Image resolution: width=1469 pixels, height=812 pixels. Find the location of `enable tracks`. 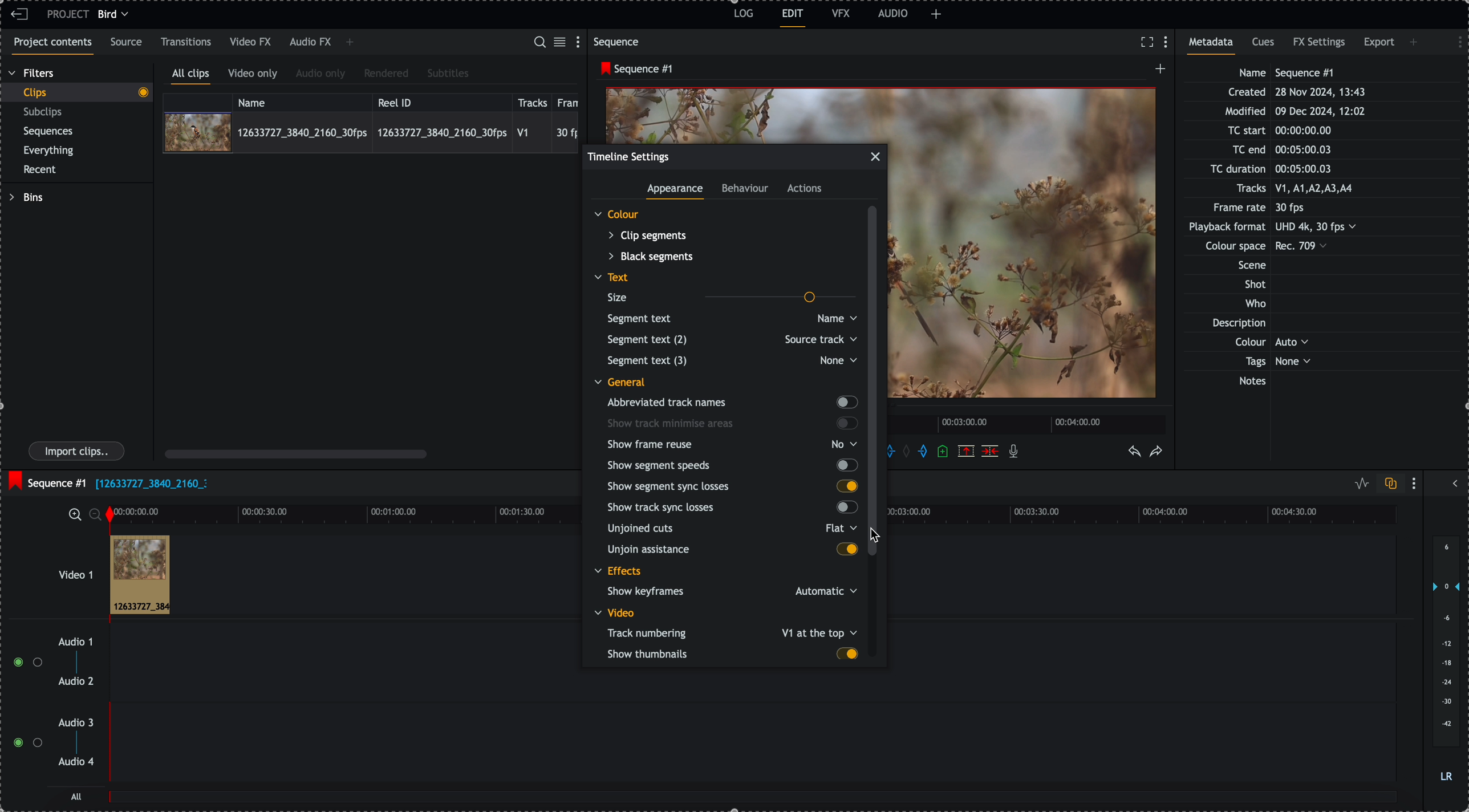

enable tracks is located at coordinates (23, 703).